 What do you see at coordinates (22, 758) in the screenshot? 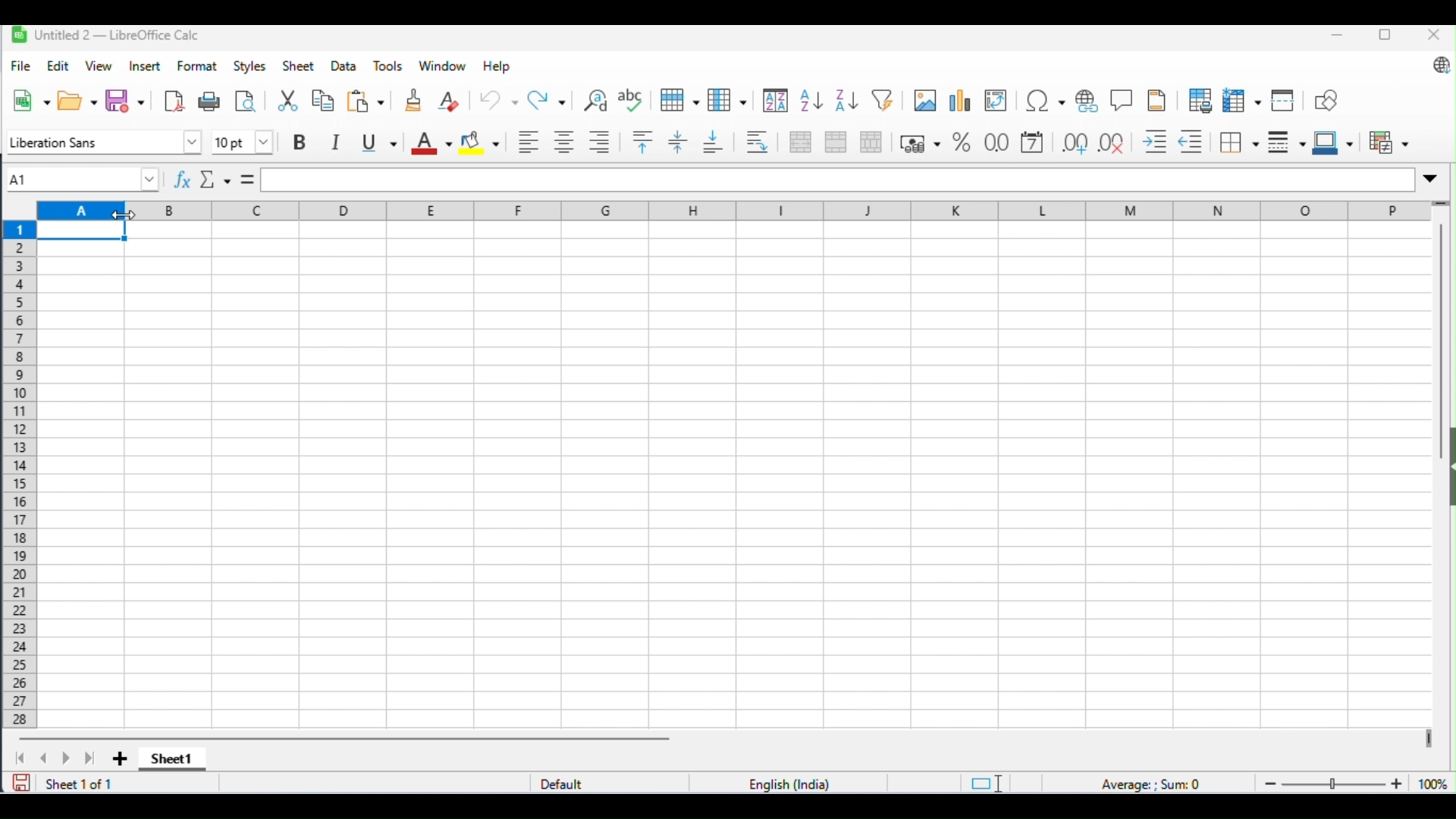
I see `first sheet` at bounding box center [22, 758].